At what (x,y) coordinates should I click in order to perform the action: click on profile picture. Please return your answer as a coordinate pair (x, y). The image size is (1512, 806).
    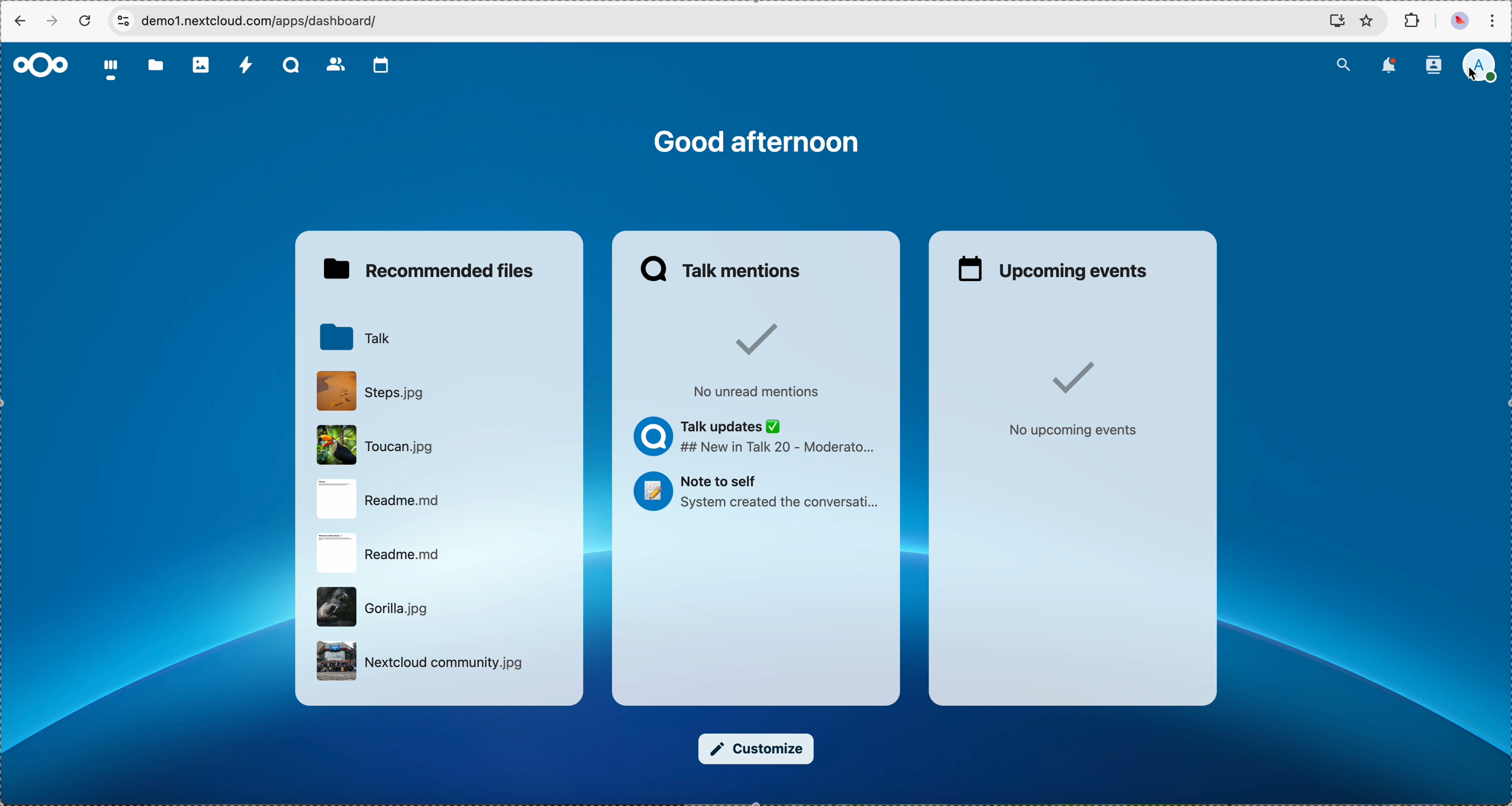
    Looking at the image, I should click on (1458, 22).